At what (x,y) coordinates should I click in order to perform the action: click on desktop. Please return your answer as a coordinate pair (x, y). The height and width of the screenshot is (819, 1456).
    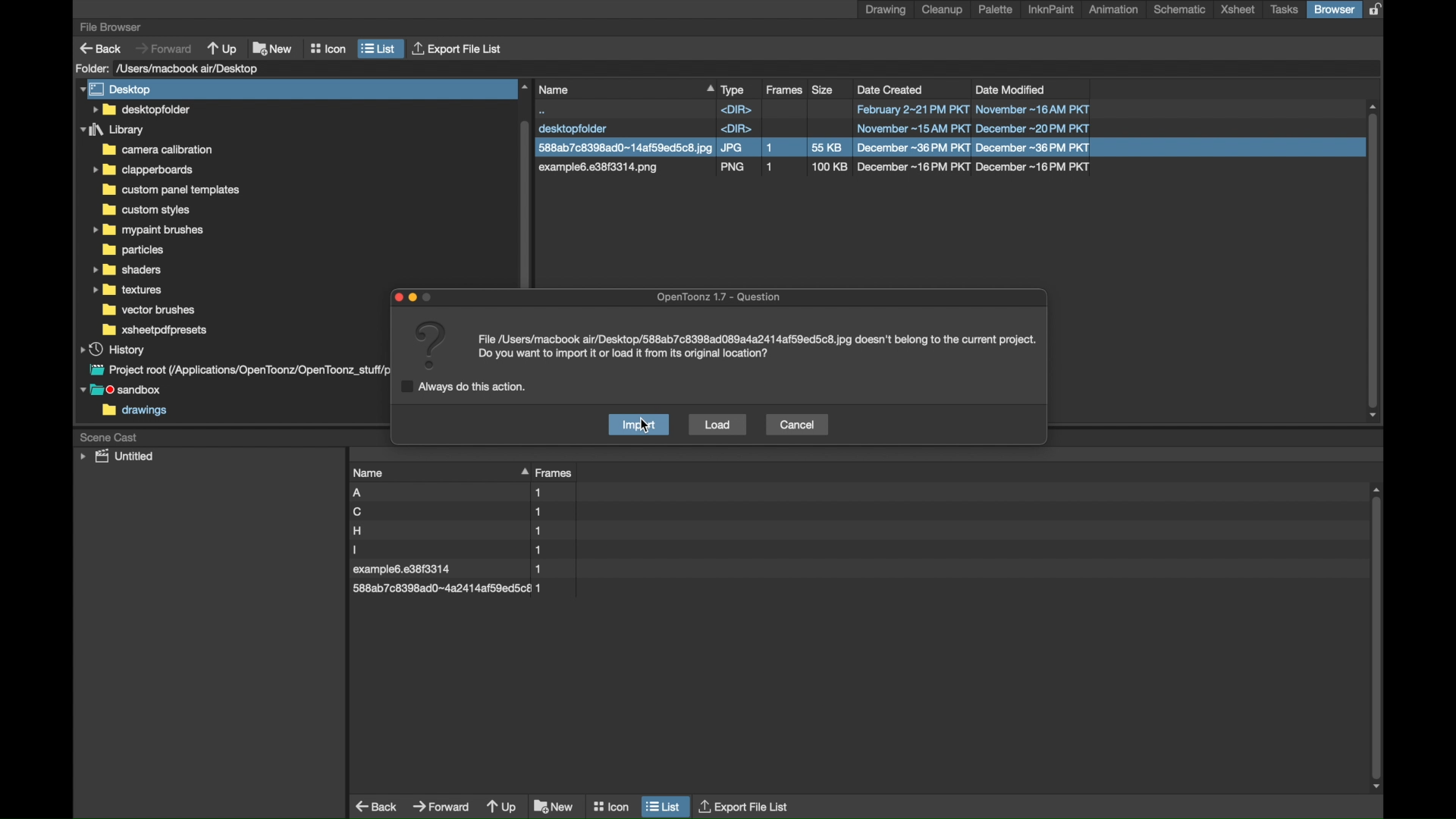
    Looking at the image, I should click on (118, 89).